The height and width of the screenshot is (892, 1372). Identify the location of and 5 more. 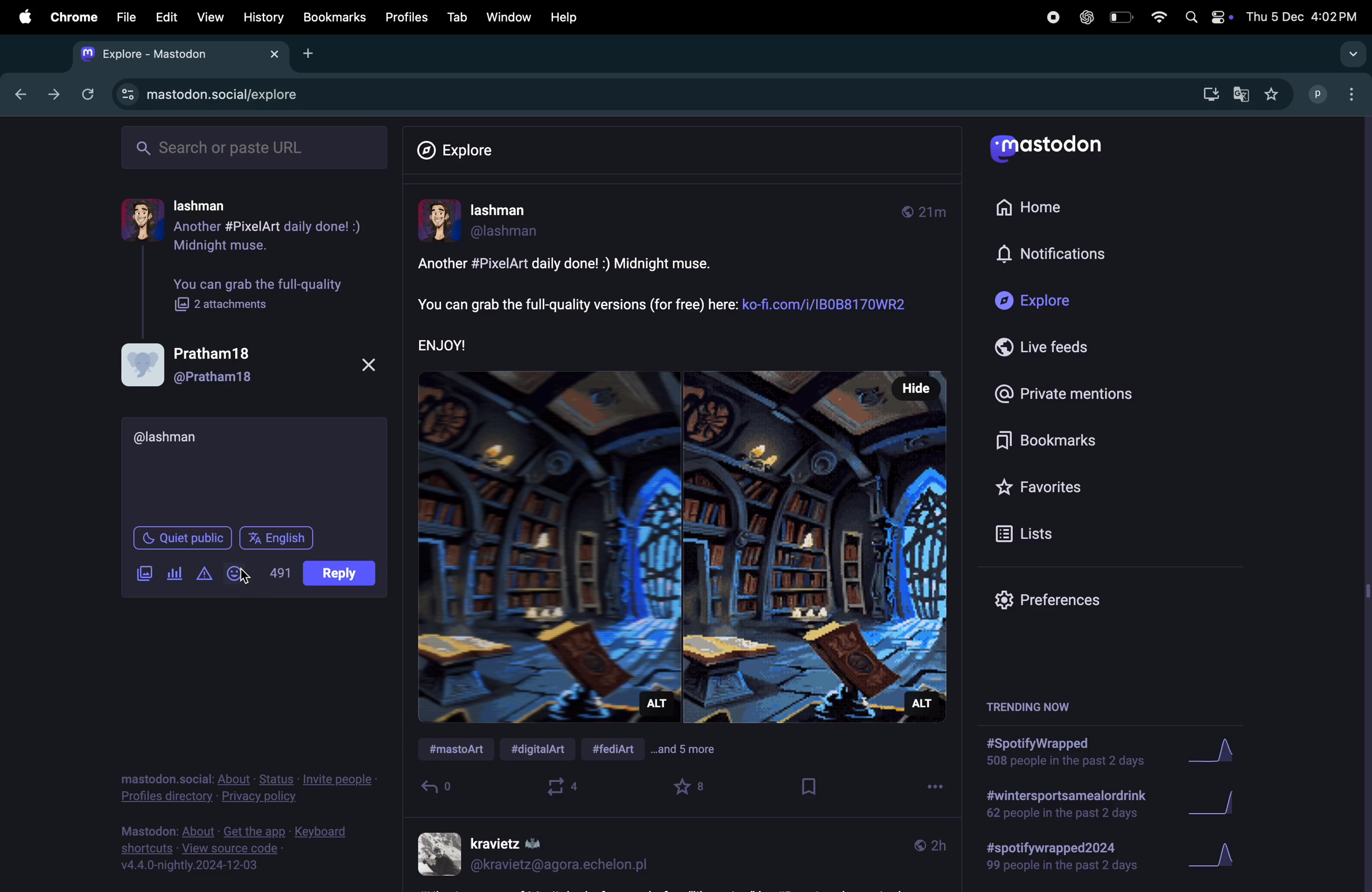
(695, 753).